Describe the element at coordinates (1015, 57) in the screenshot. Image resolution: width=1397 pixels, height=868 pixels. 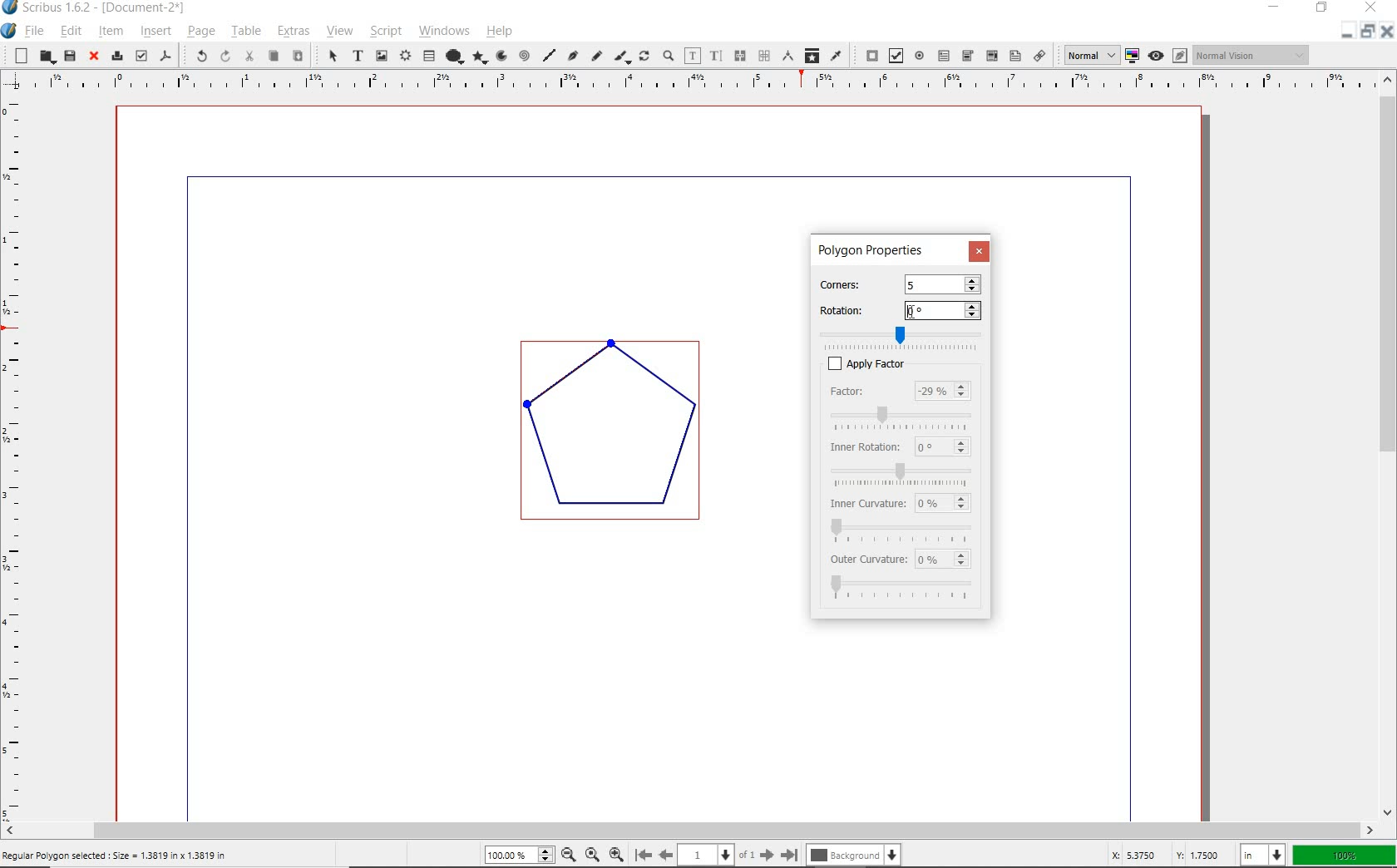
I see `pdf list box` at that location.